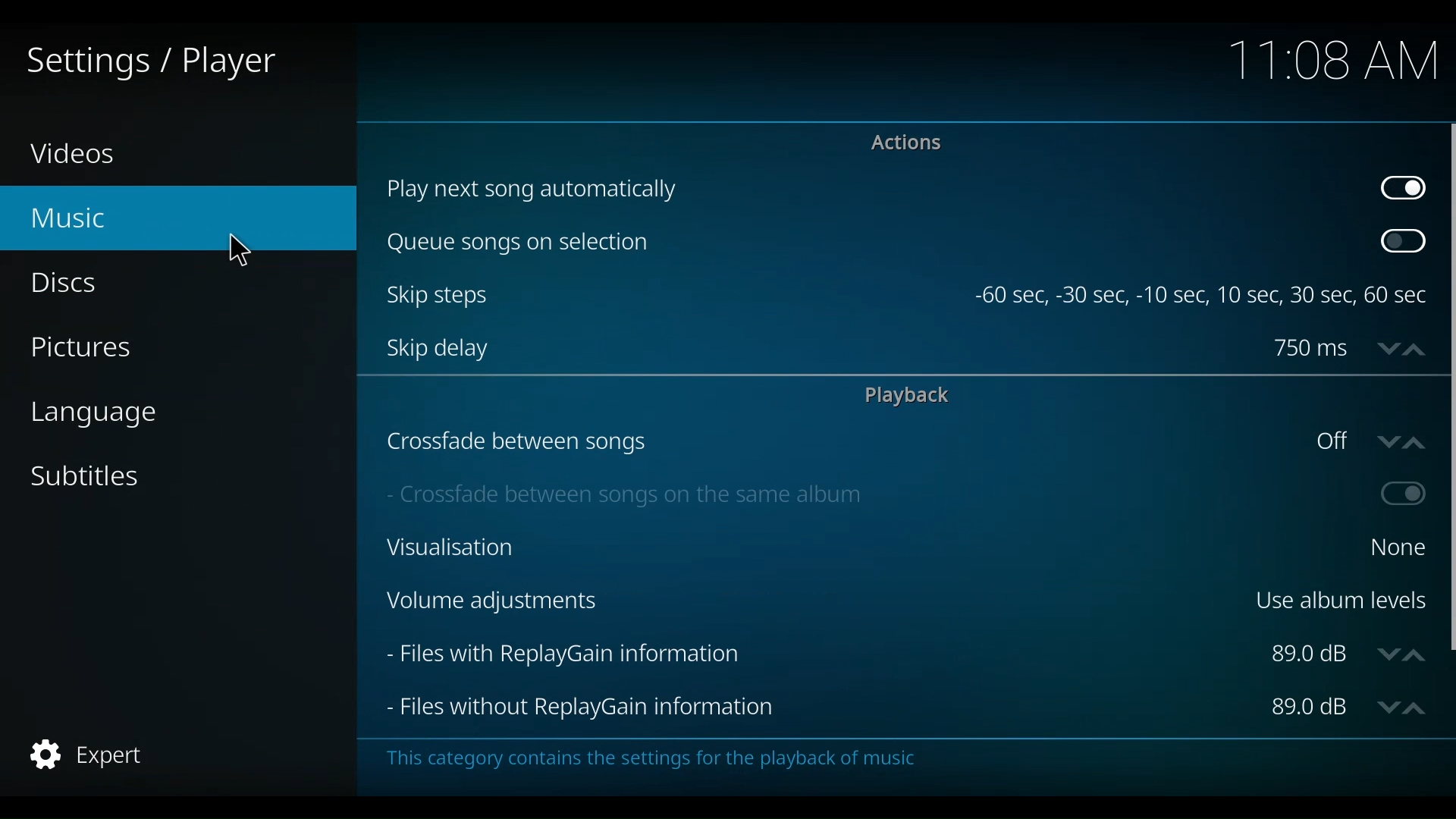 This screenshot has height=819, width=1456. Describe the element at coordinates (1417, 652) in the screenshot. I see `up` at that location.